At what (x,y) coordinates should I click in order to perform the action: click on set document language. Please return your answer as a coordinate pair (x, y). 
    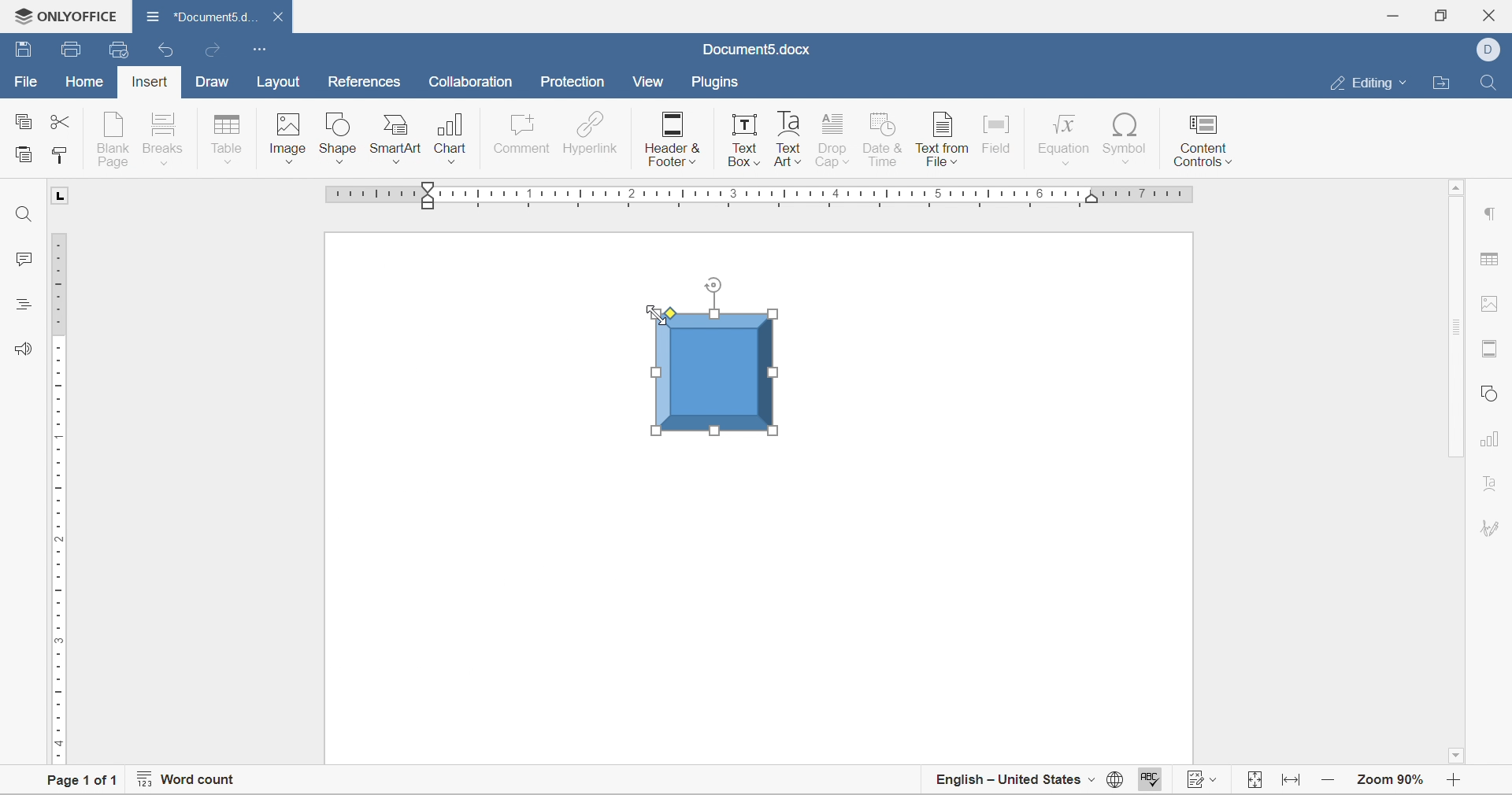
    Looking at the image, I should click on (1117, 782).